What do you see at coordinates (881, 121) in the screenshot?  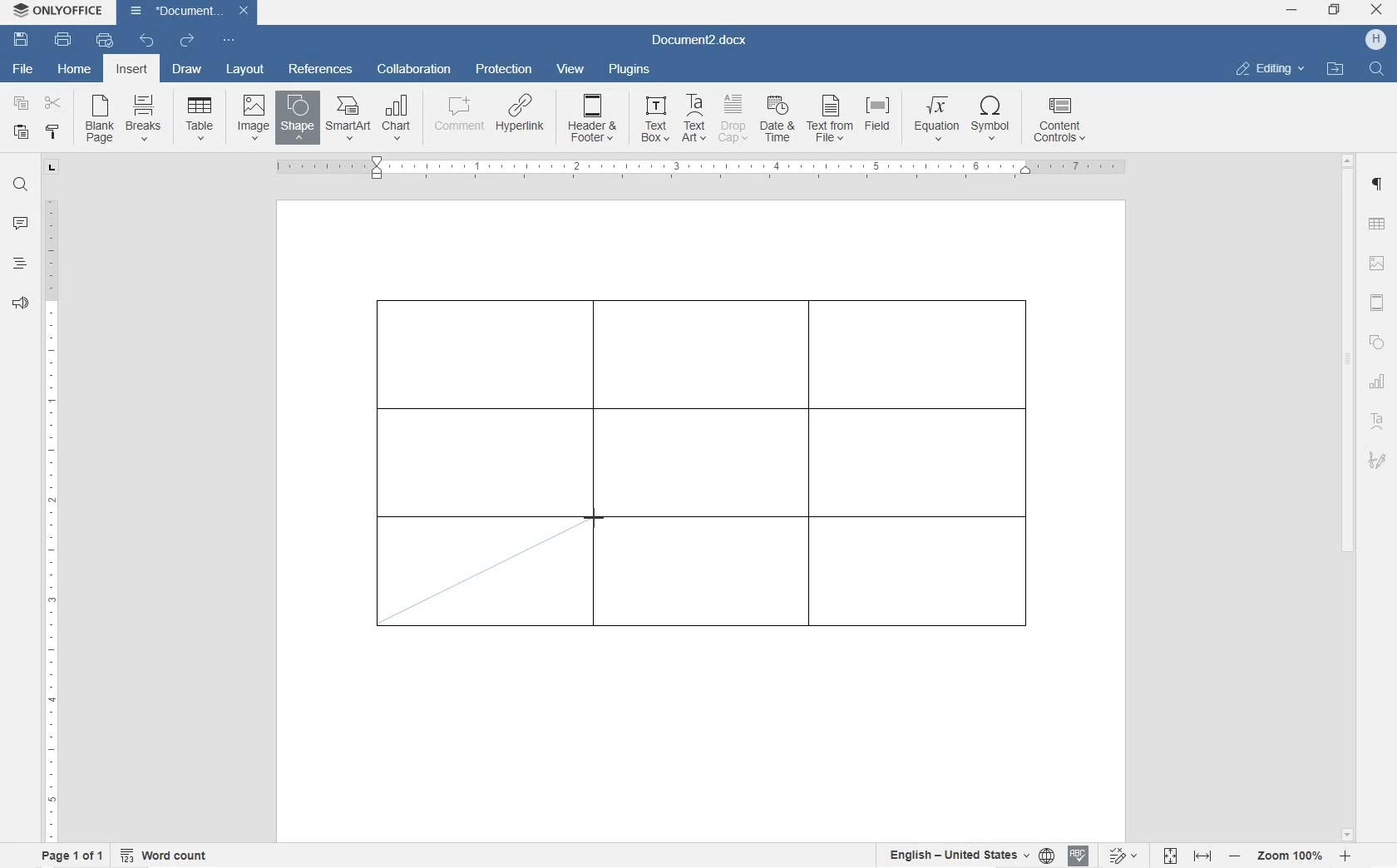 I see `FIELD` at bounding box center [881, 121].